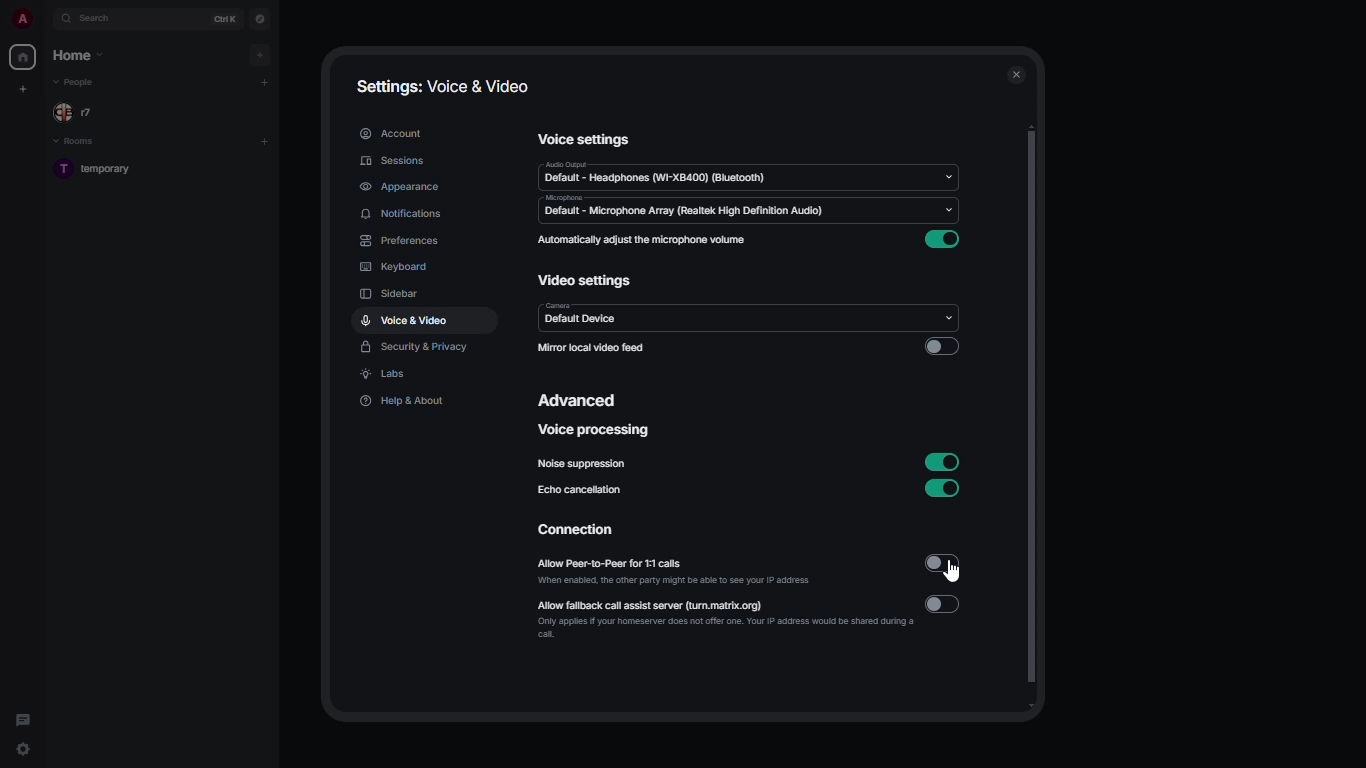  Describe the element at coordinates (640, 240) in the screenshot. I see `automatically adjust the microphone volume` at that location.